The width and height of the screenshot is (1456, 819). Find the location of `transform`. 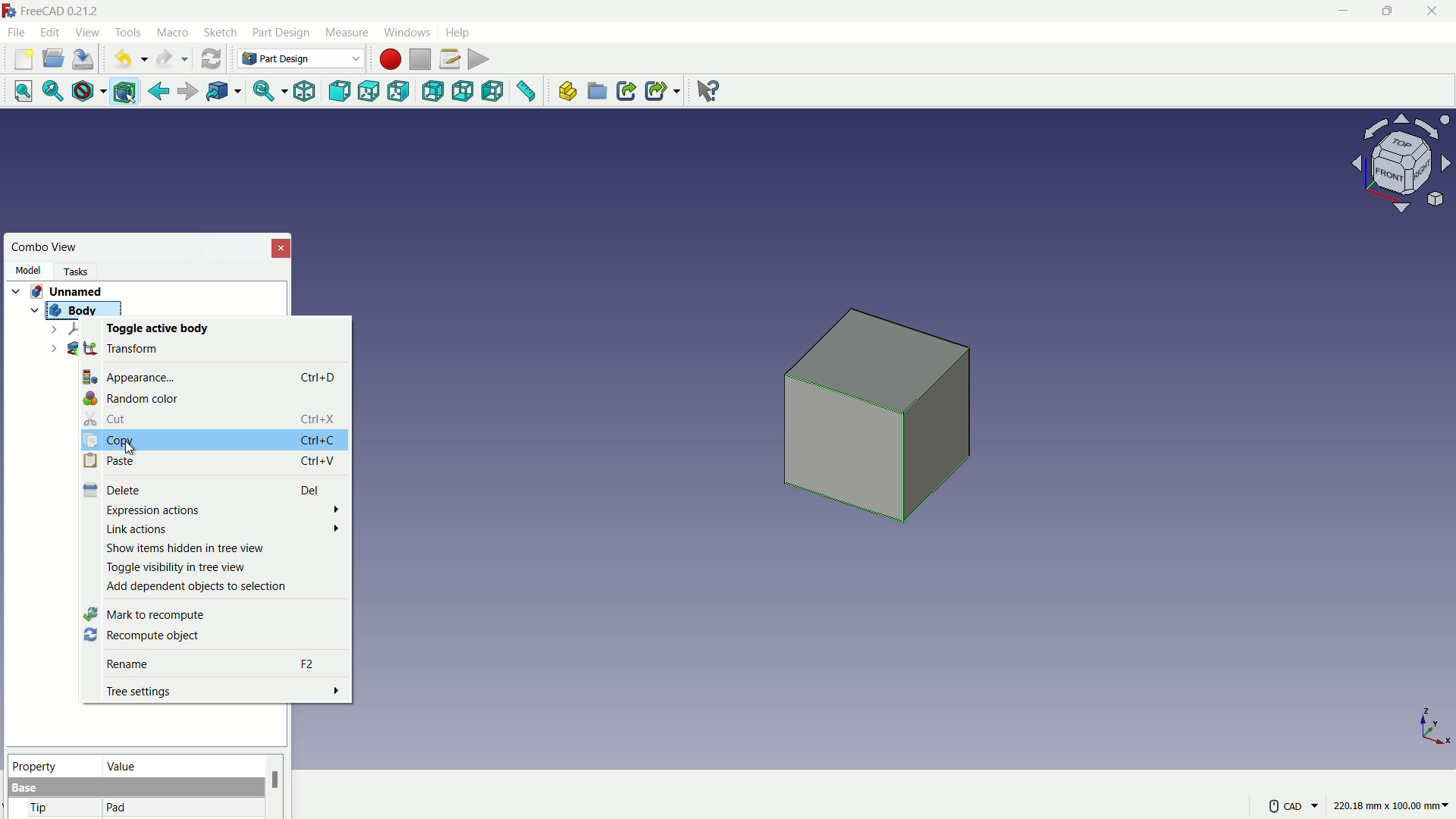

transform is located at coordinates (123, 347).